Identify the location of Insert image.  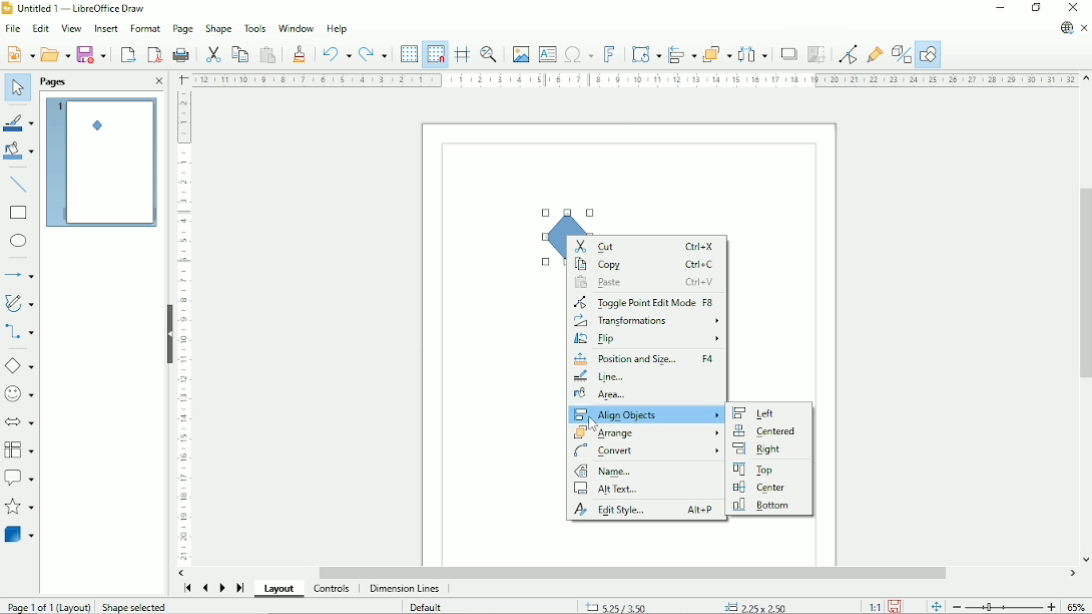
(520, 54).